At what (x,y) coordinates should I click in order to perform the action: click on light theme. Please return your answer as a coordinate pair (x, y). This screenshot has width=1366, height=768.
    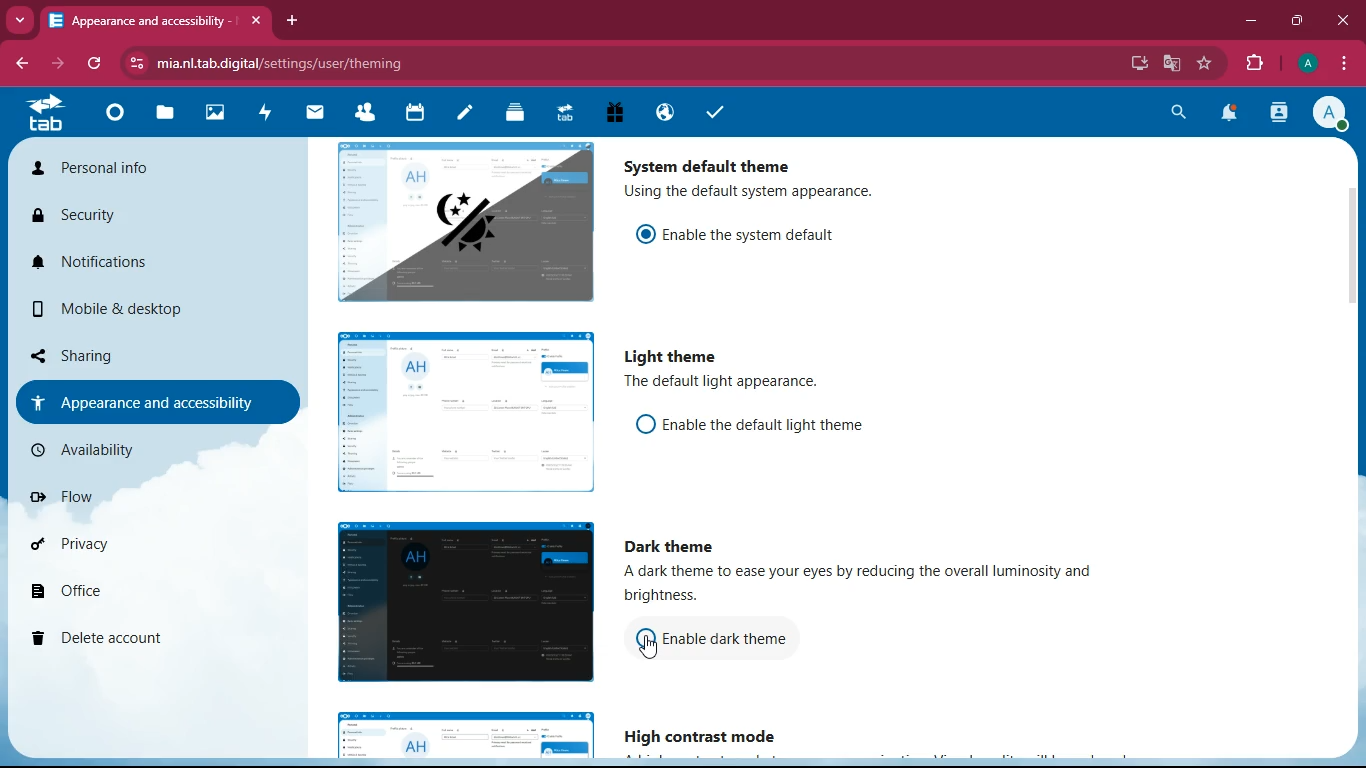
    Looking at the image, I should click on (675, 358).